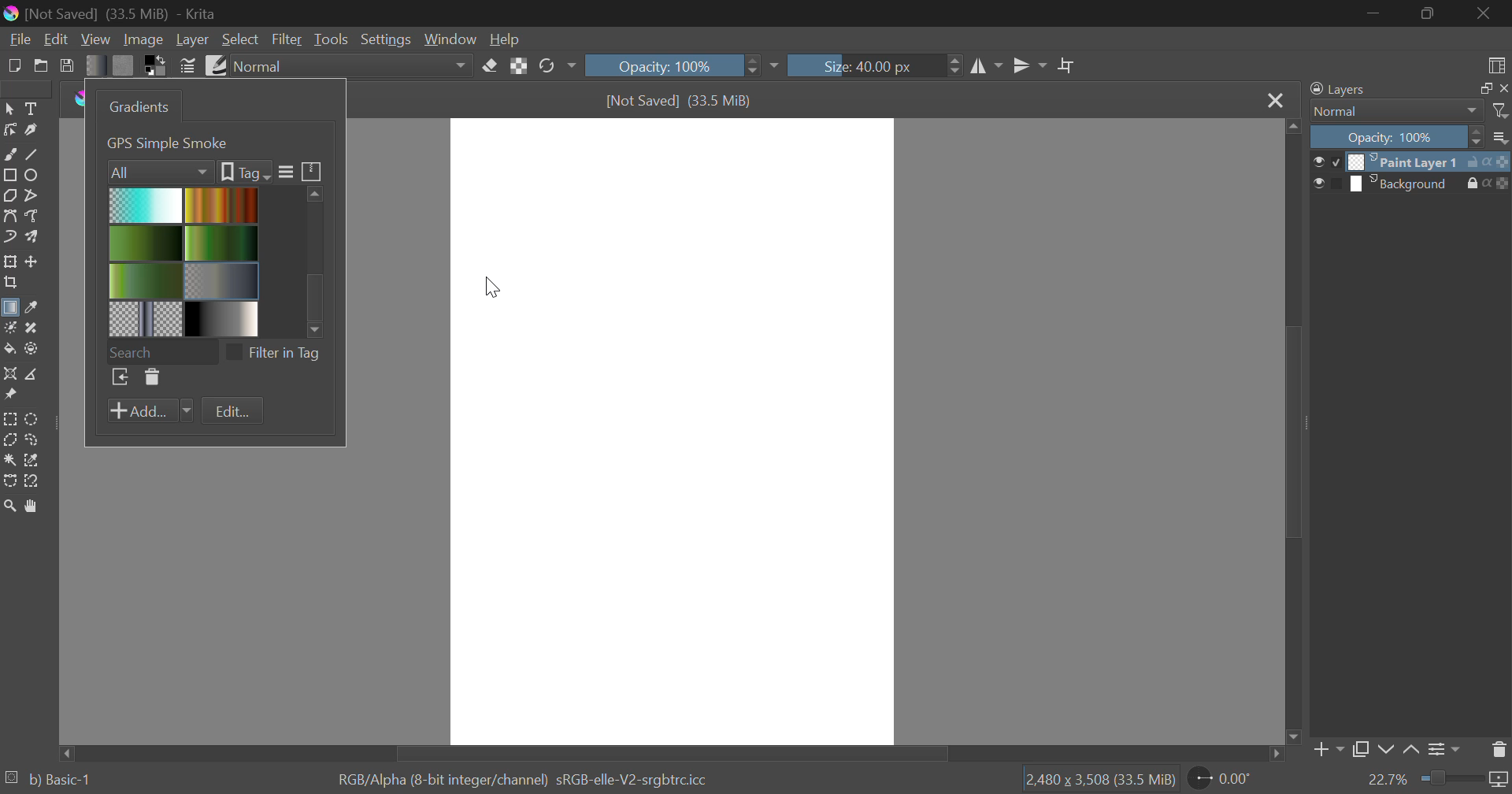 This screenshot has width=1512, height=794. I want to click on Background, so click(1406, 184).